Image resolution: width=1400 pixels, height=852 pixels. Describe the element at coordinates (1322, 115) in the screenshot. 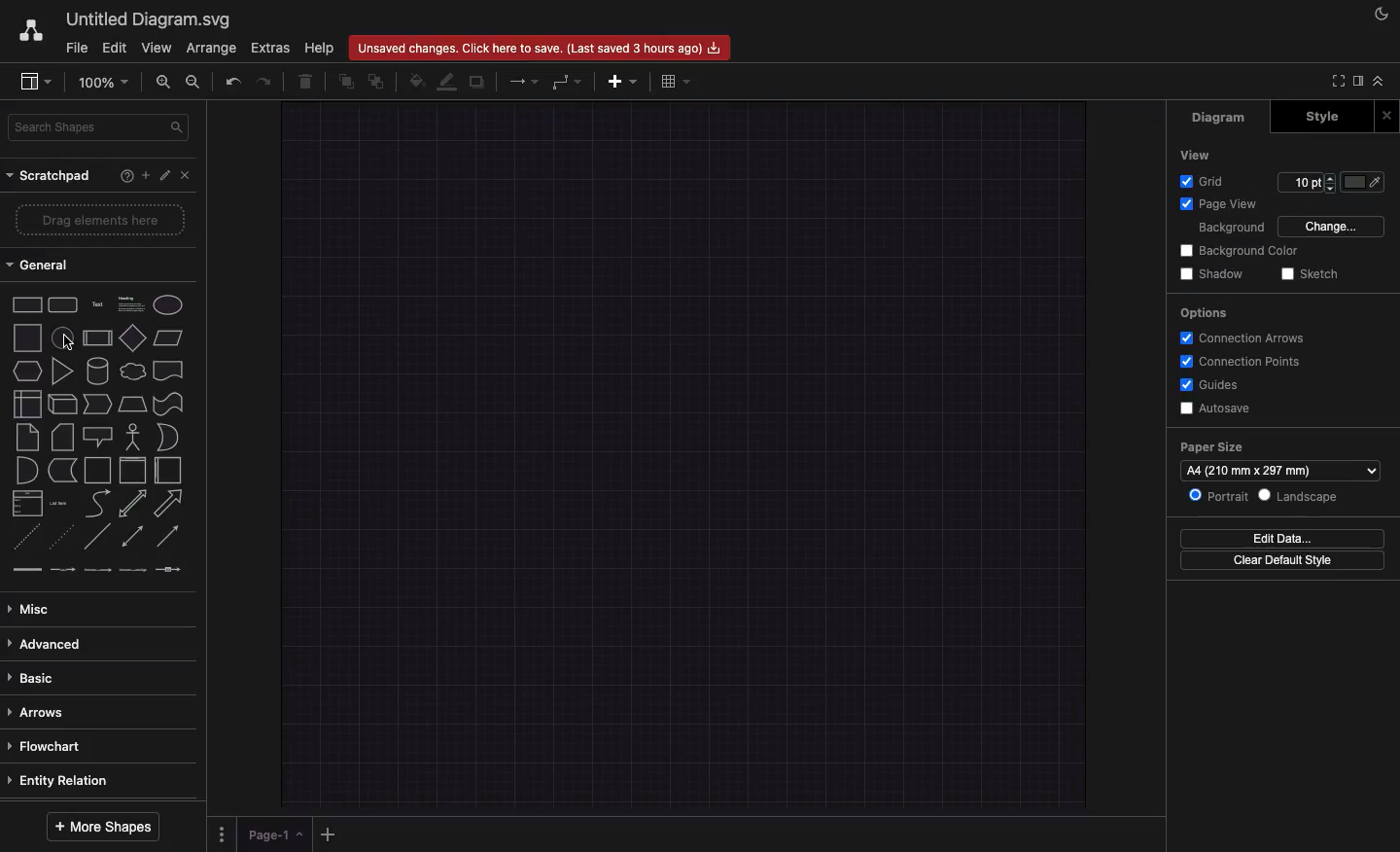

I see `Style ` at that location.